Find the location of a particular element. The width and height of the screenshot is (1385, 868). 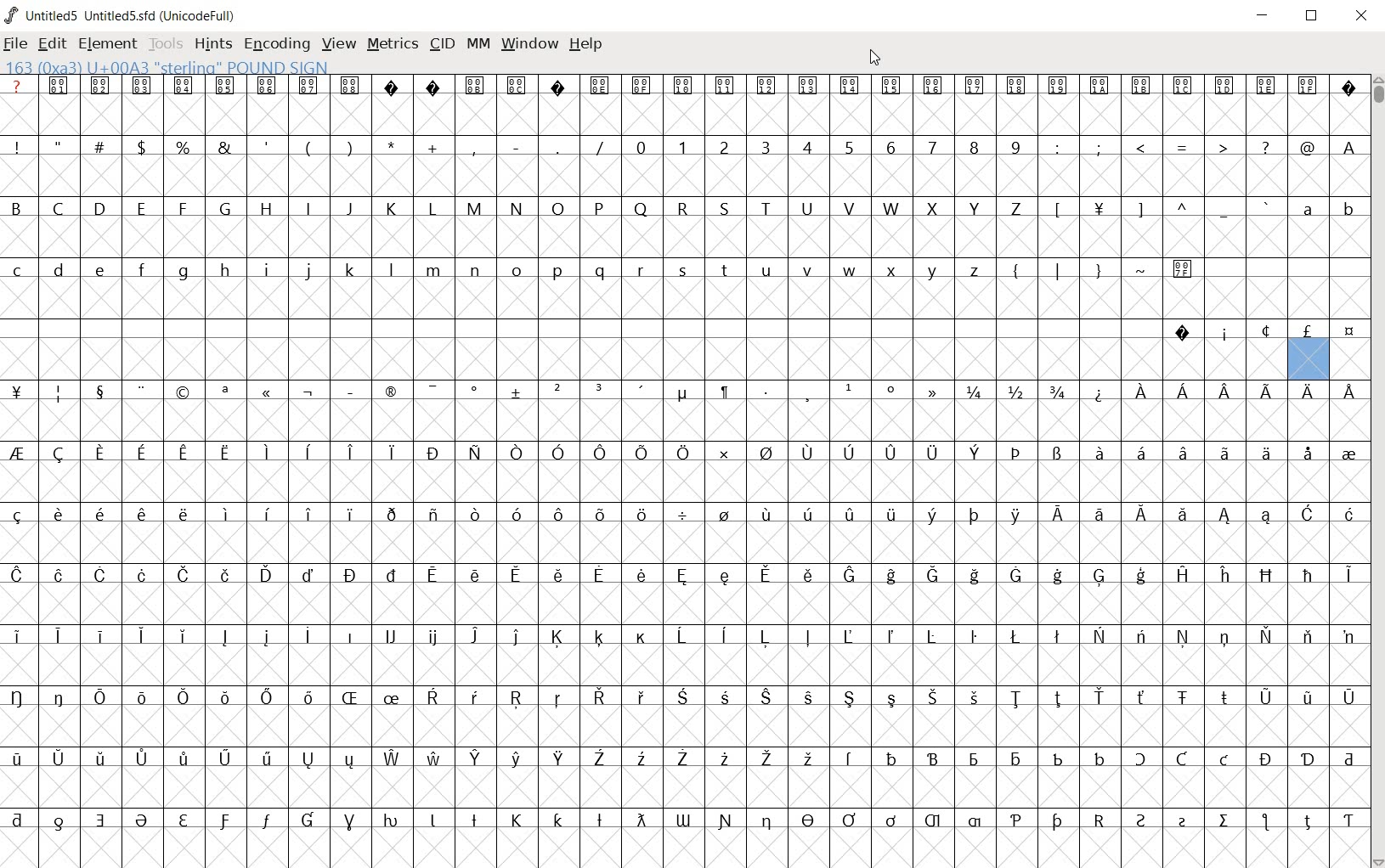

Symbol is located at coordinates (1225, 822).